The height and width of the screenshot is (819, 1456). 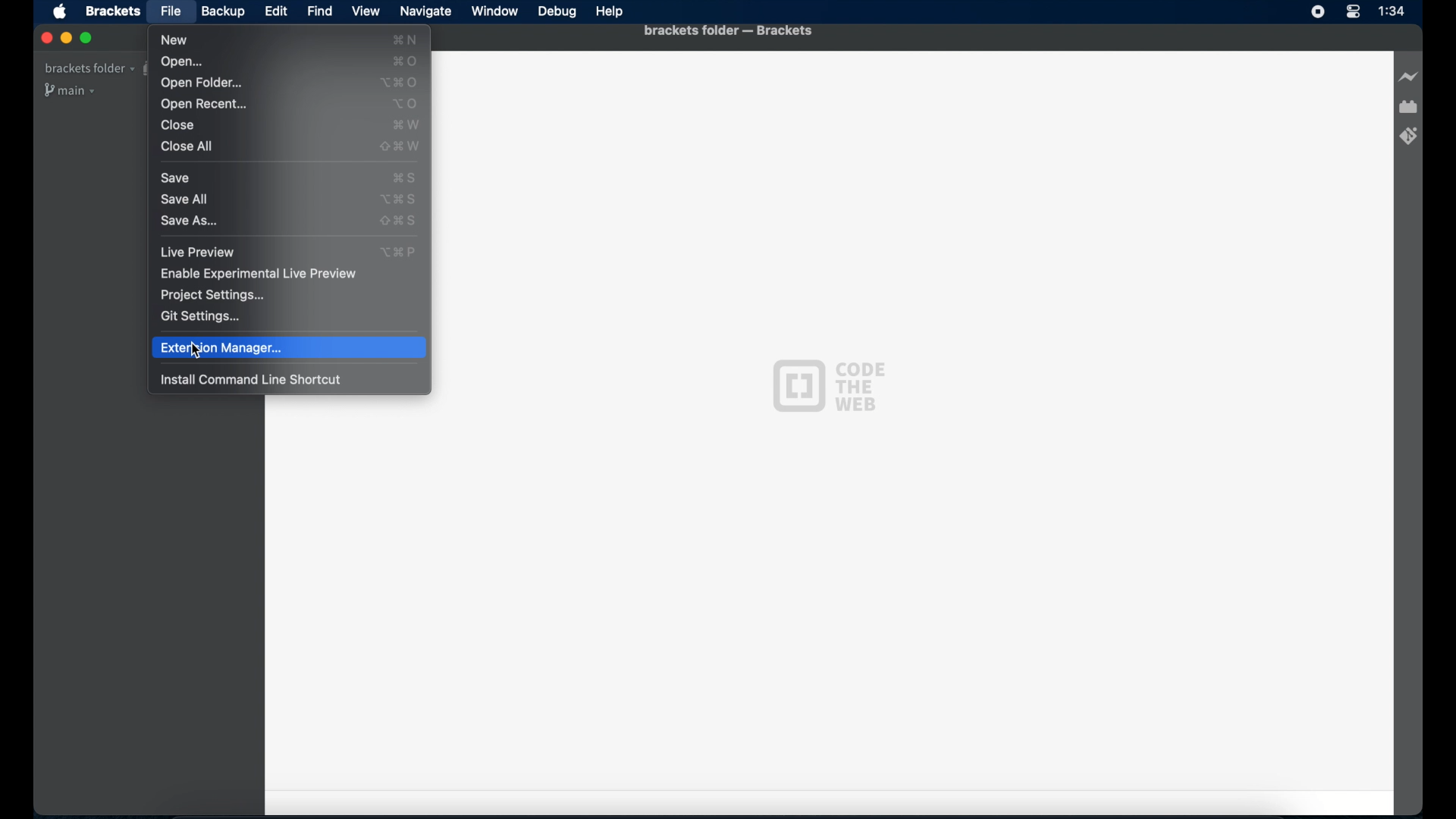 What do you see at coordinates (45, 38) in the screenshot?
I see `Close` at bounding box center [45, 38].